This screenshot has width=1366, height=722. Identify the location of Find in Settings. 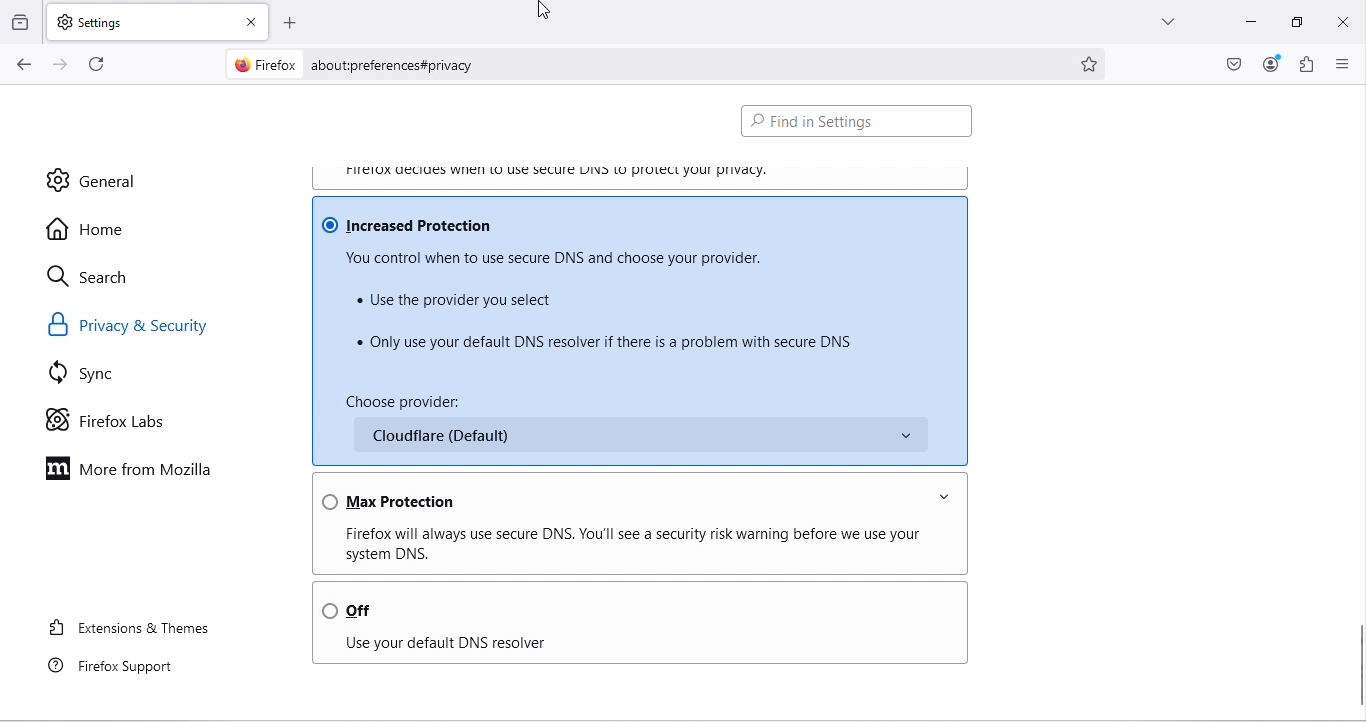
(858, 117).